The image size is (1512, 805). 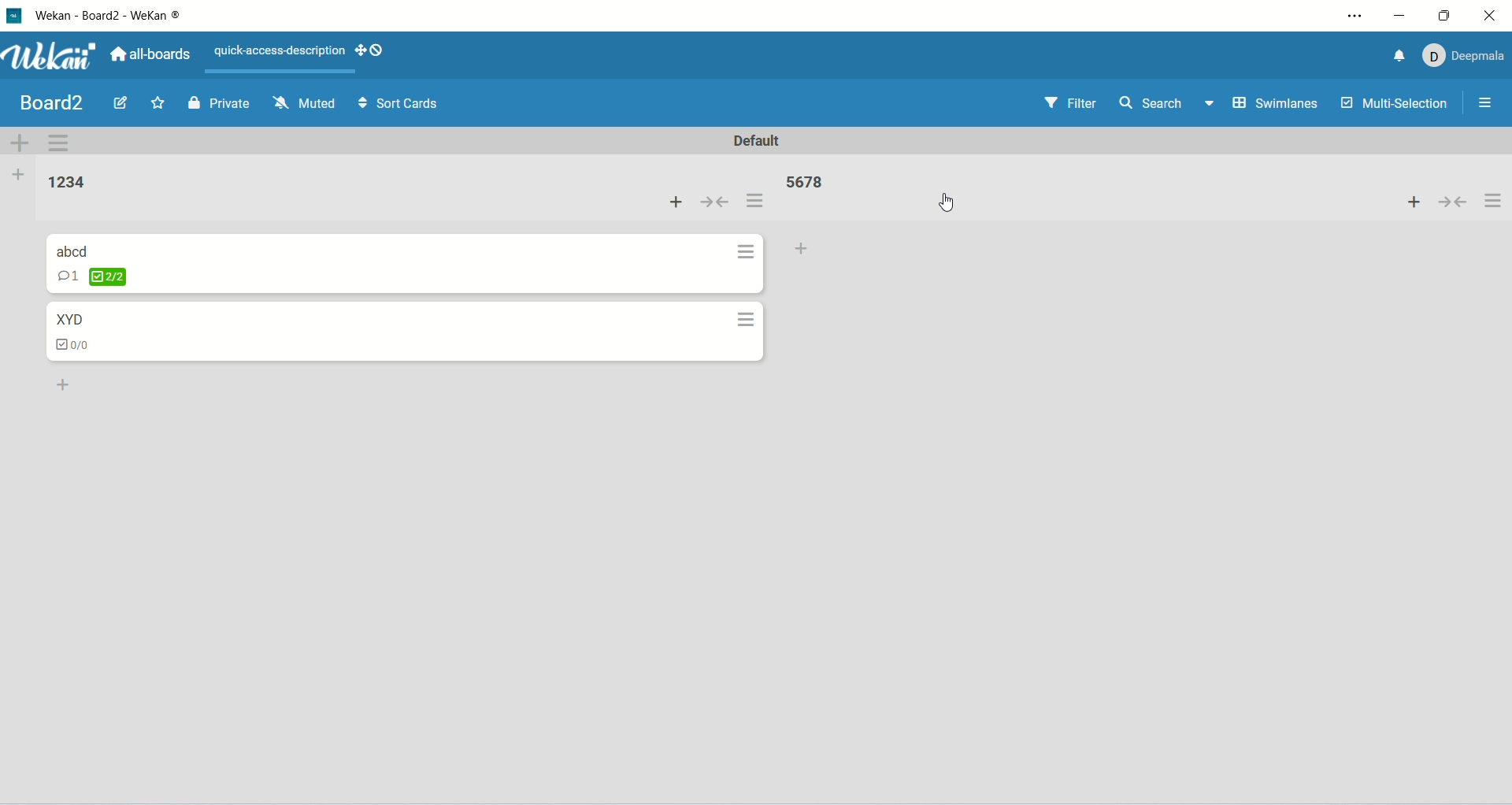 What do you see at coordinates (306, 102) in the screenshot?
I see `muted` at bounding box center [306, 102].